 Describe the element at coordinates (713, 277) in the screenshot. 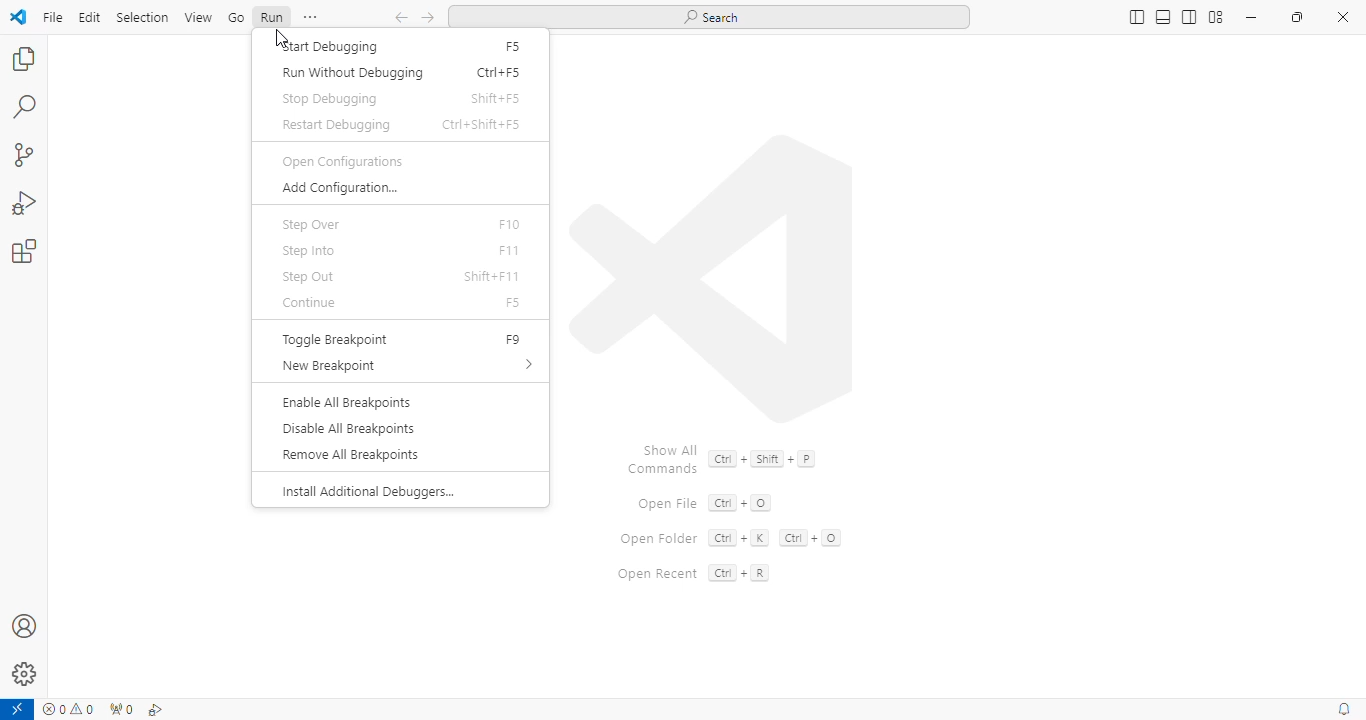

I see `logo` at that location.